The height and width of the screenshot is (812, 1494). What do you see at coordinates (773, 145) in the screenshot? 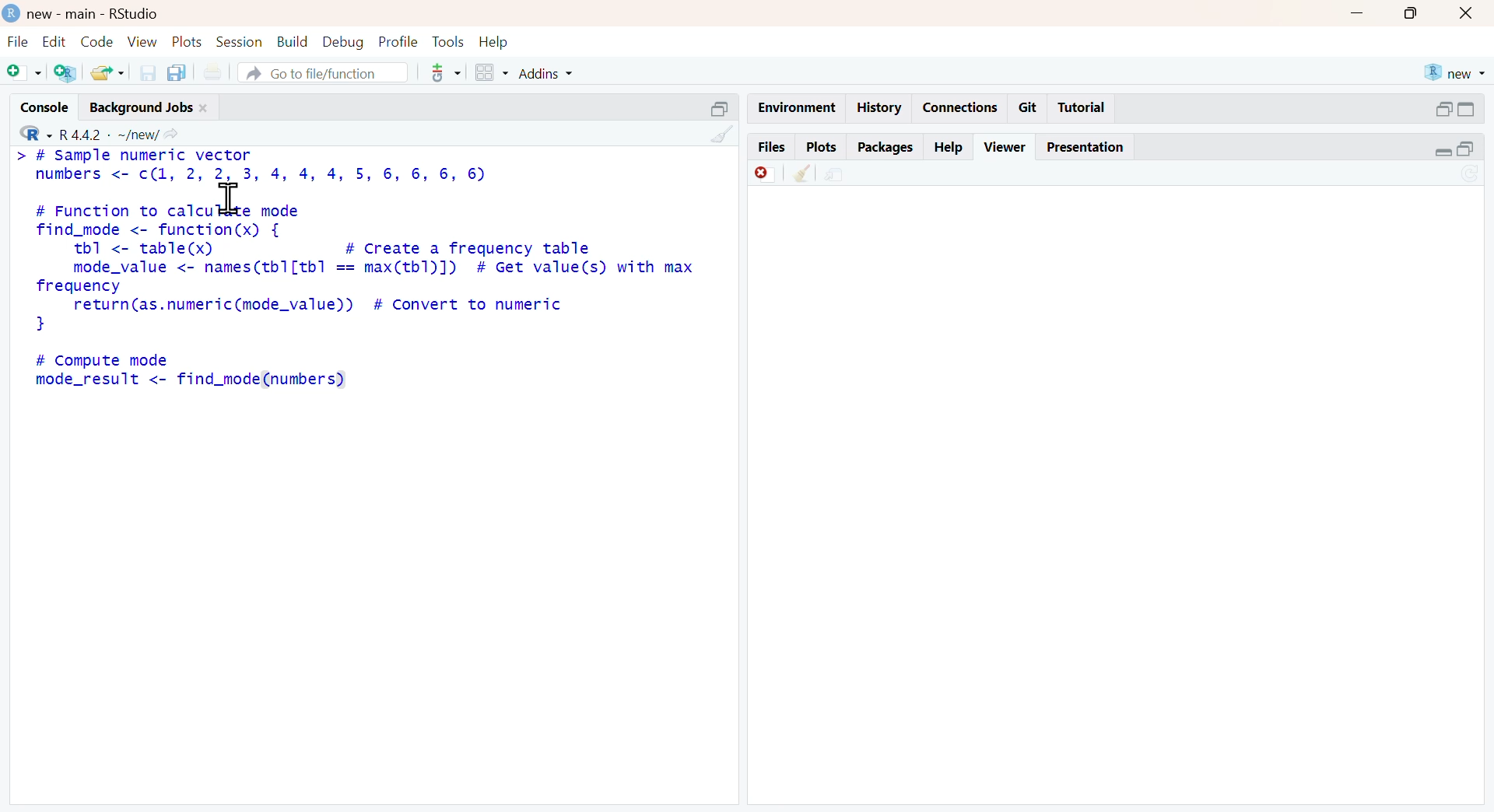
I see `files` at bounding box center [773, 145].